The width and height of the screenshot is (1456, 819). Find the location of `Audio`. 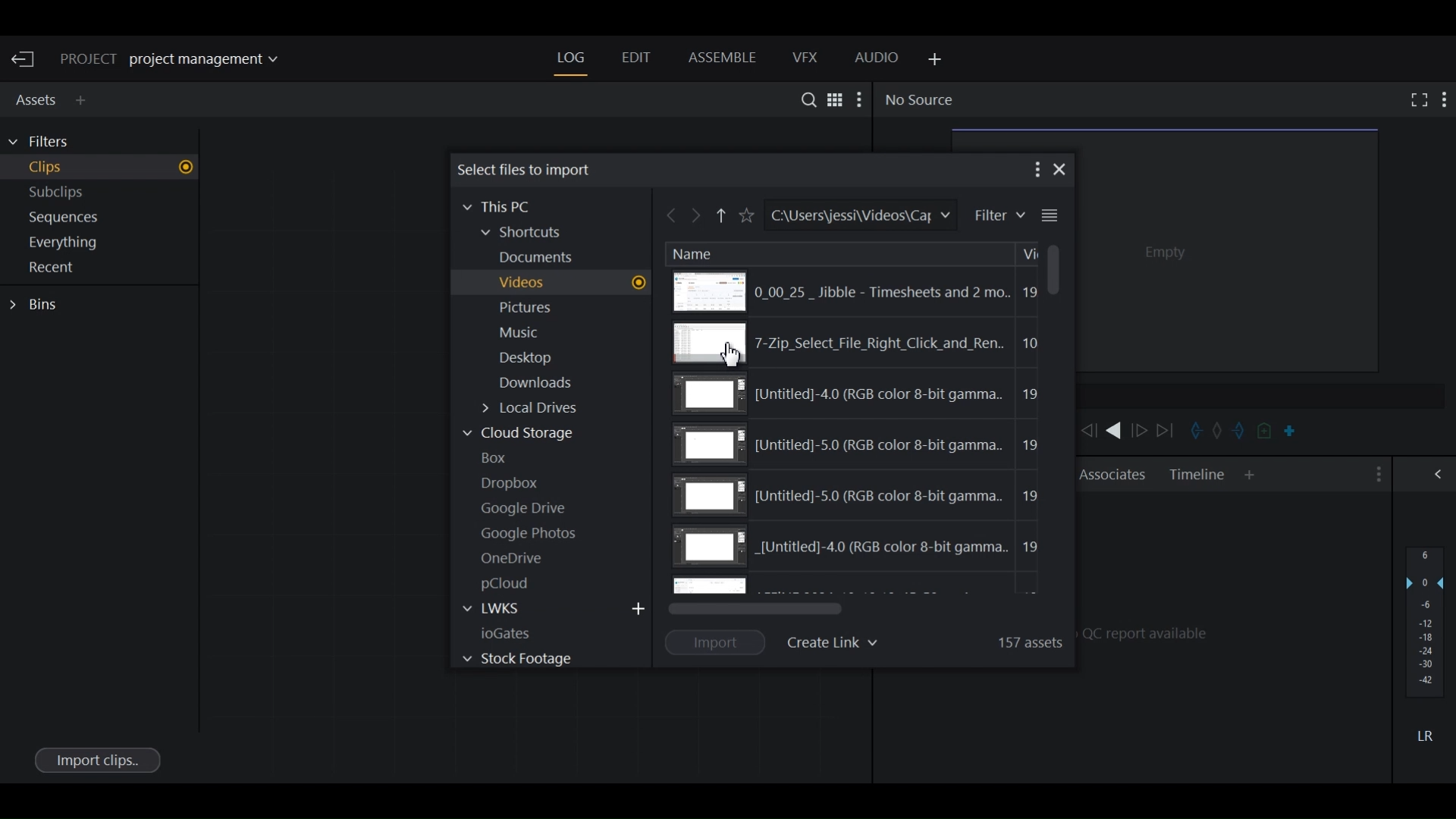

Audio is located at coordinates (877, 60).